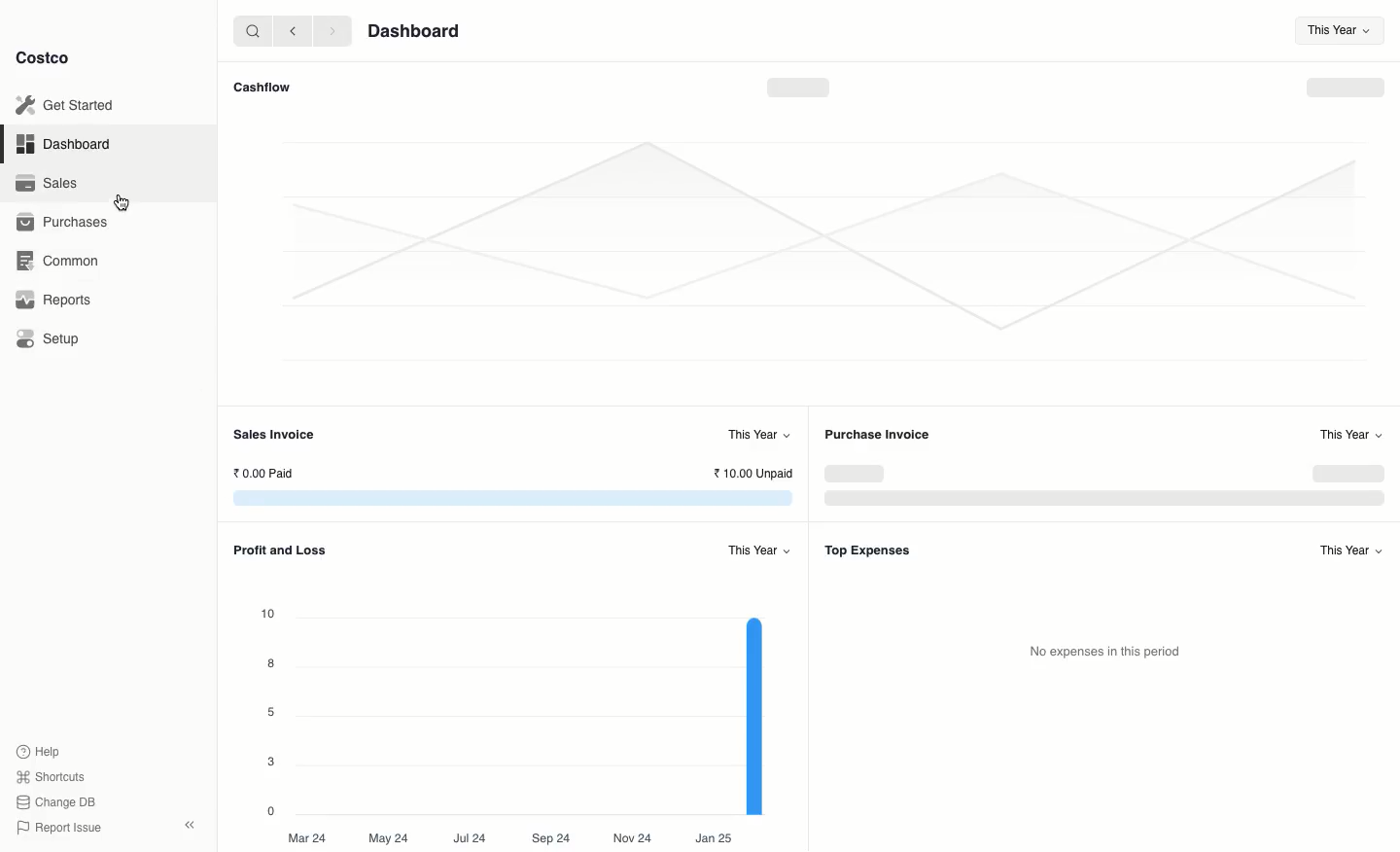  I want to click on Reports, so click(53, 299).